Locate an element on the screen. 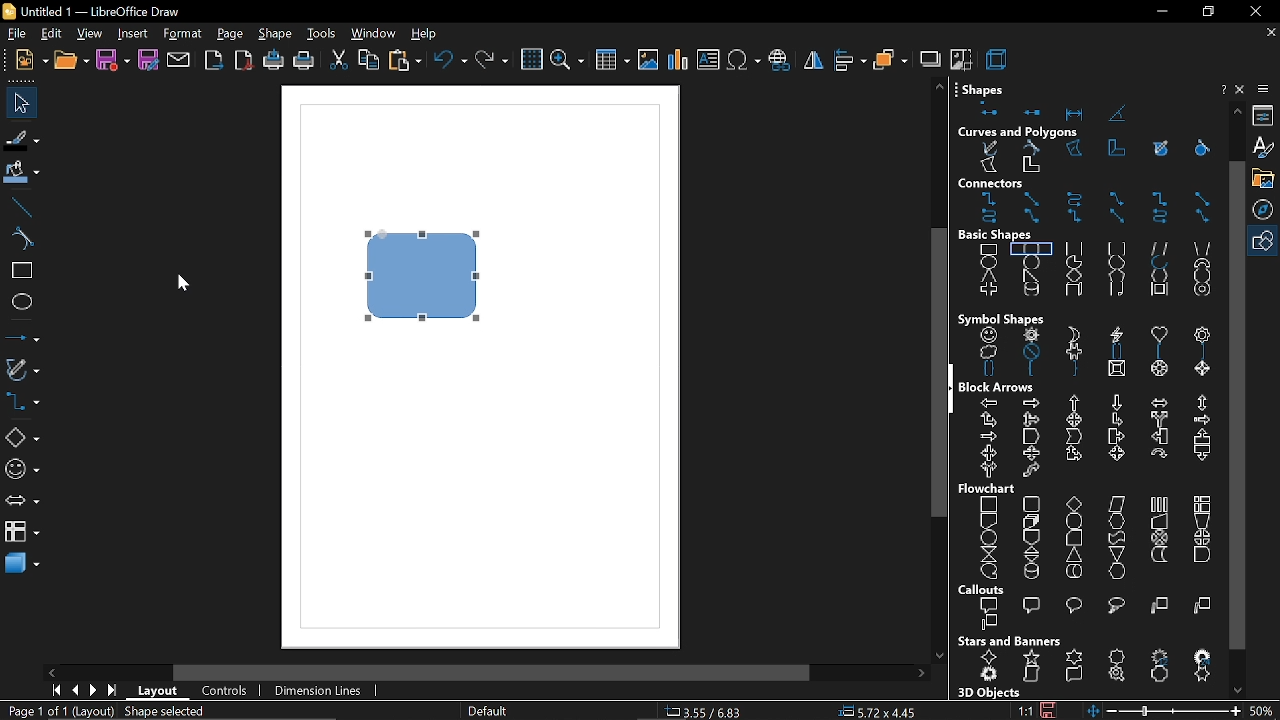 The width and height of the screenshot is (1280, 720). curves and polygons is located at coordinates (1091, 159).